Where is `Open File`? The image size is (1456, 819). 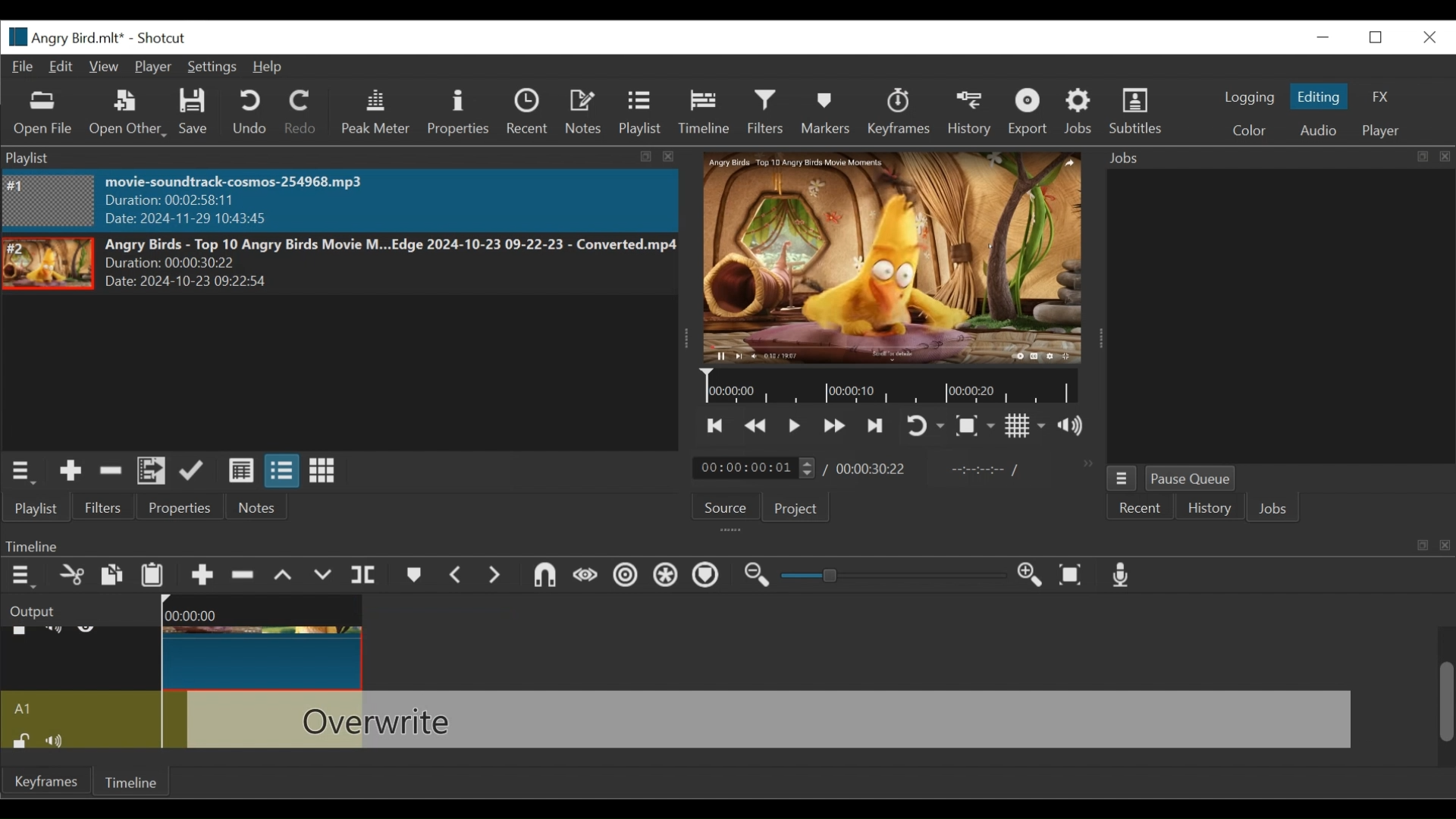 Open File is located at coordinates (40, 114).